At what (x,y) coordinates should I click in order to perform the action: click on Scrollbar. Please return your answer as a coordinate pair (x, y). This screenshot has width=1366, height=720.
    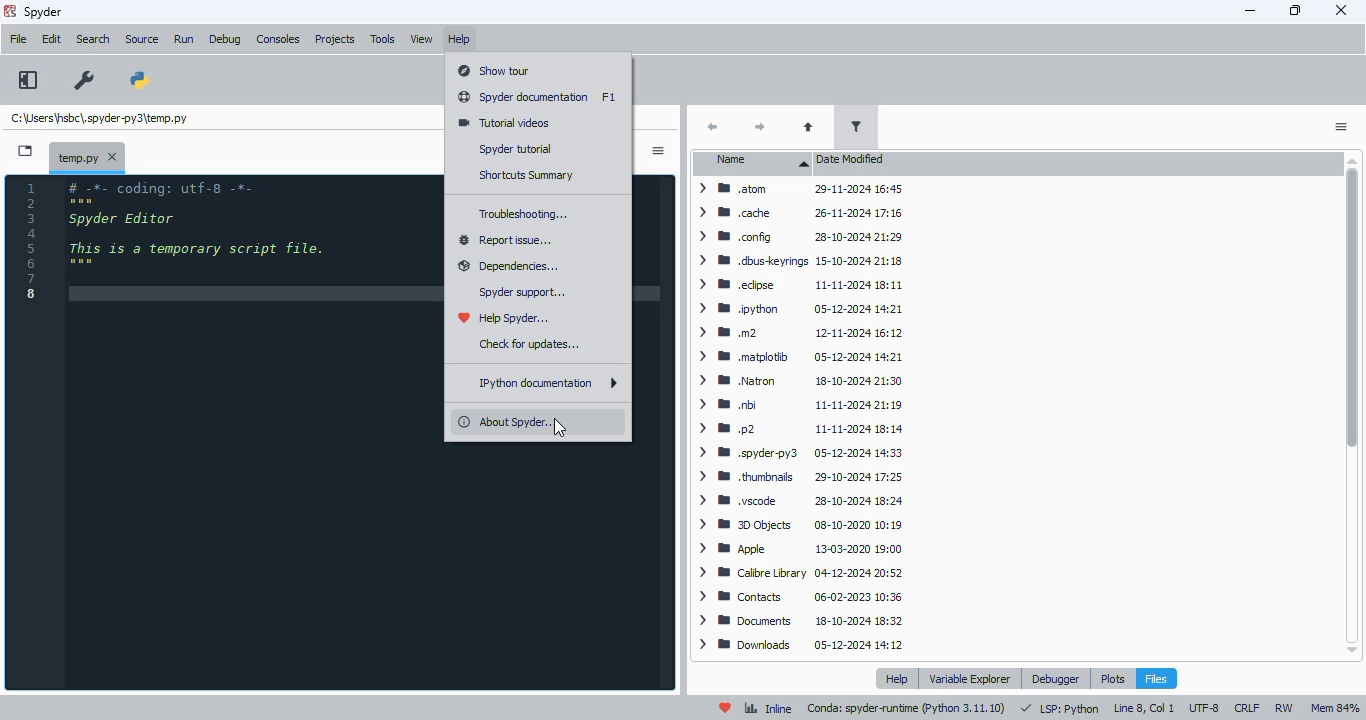
    Looking at the image, I should click on (1352, 402).